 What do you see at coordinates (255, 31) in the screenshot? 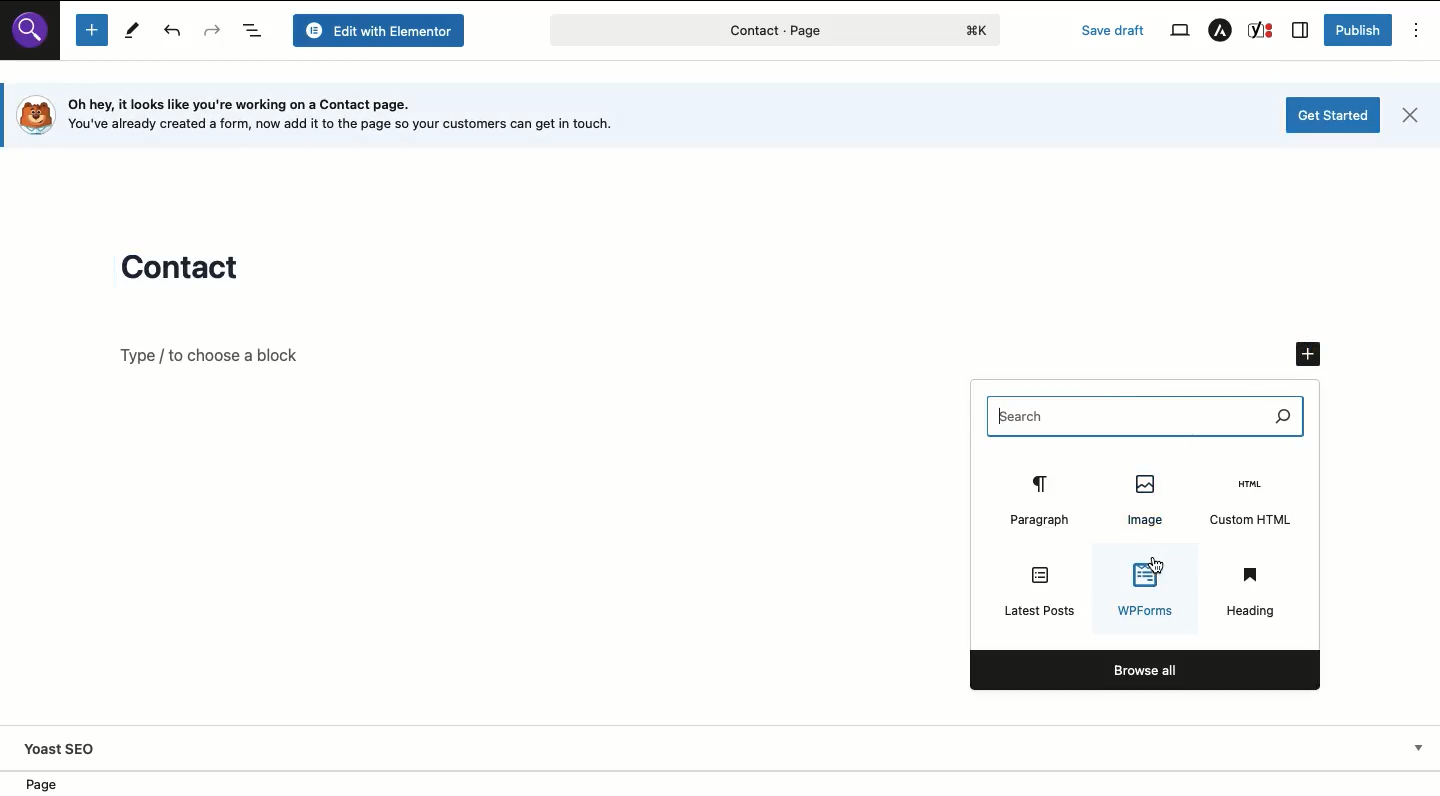
I see `Document overview` at bounding box center [255, 31].